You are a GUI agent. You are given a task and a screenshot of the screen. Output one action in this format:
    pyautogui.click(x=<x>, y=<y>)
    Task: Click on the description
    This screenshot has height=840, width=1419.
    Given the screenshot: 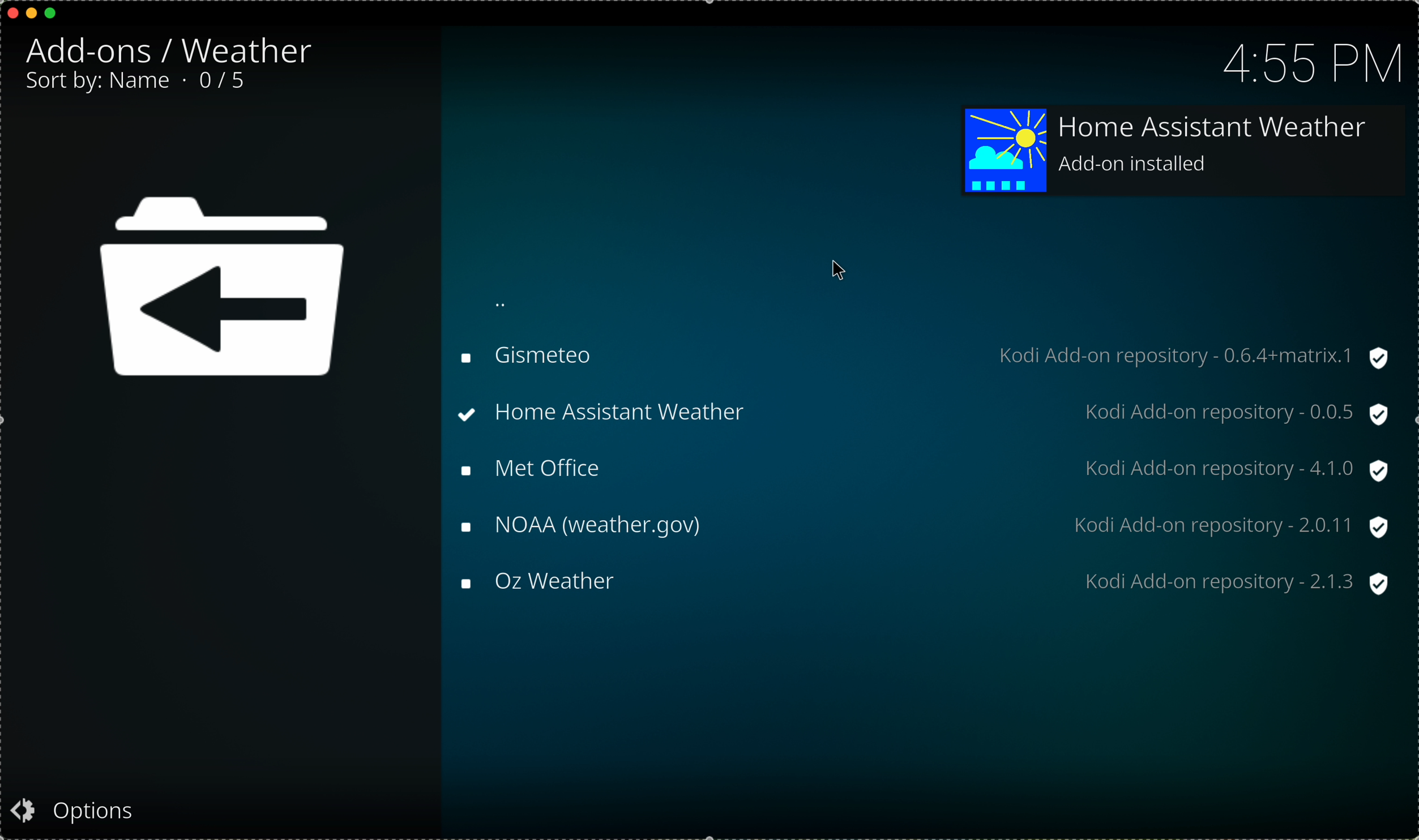 What is the action you would take?
    pyautogui.click(x=209, y=509)
    